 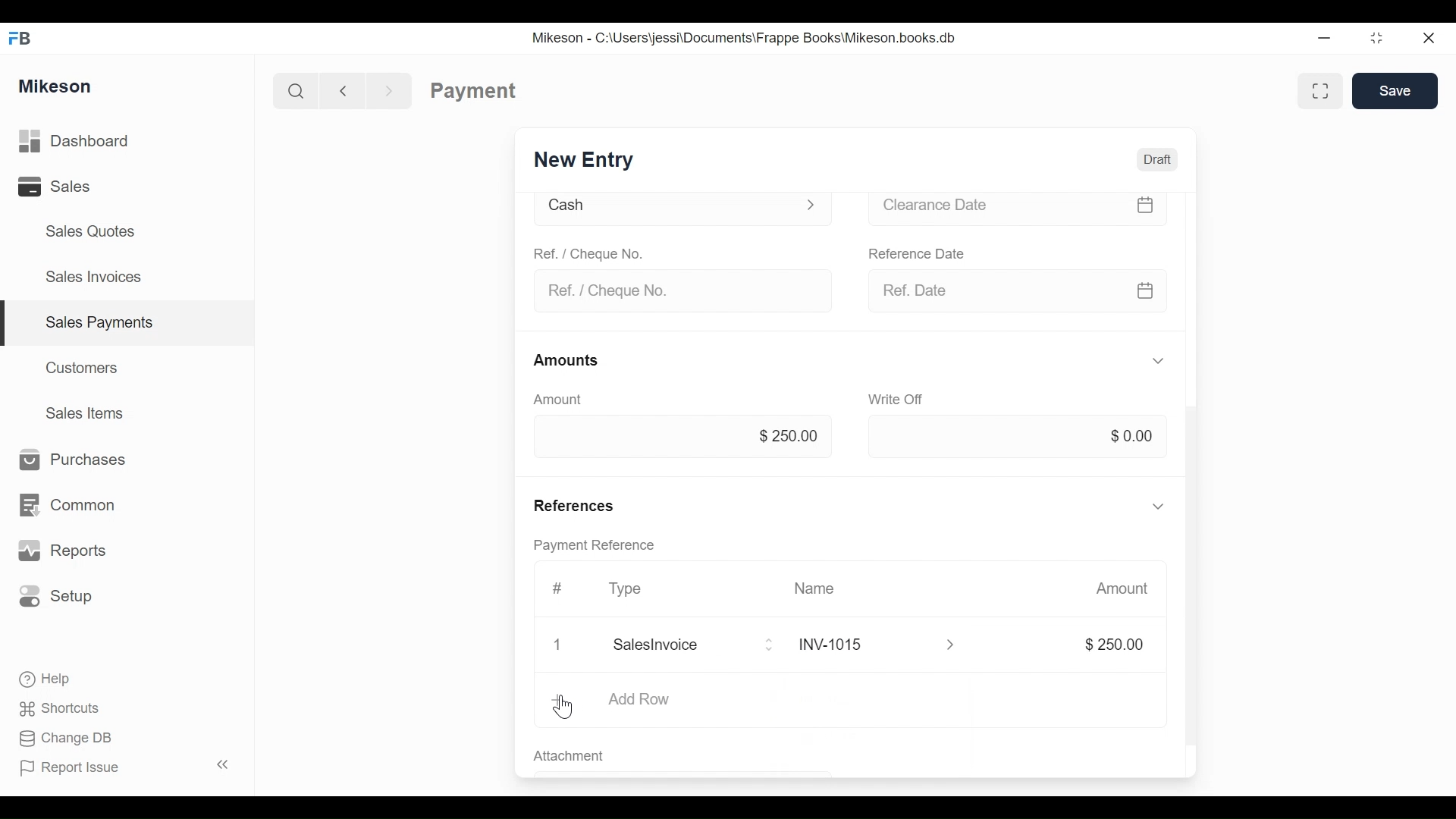 What do you see at coordinates (818, 588) in the screenshot?
I see `Name` at bounding box center [818, 588].